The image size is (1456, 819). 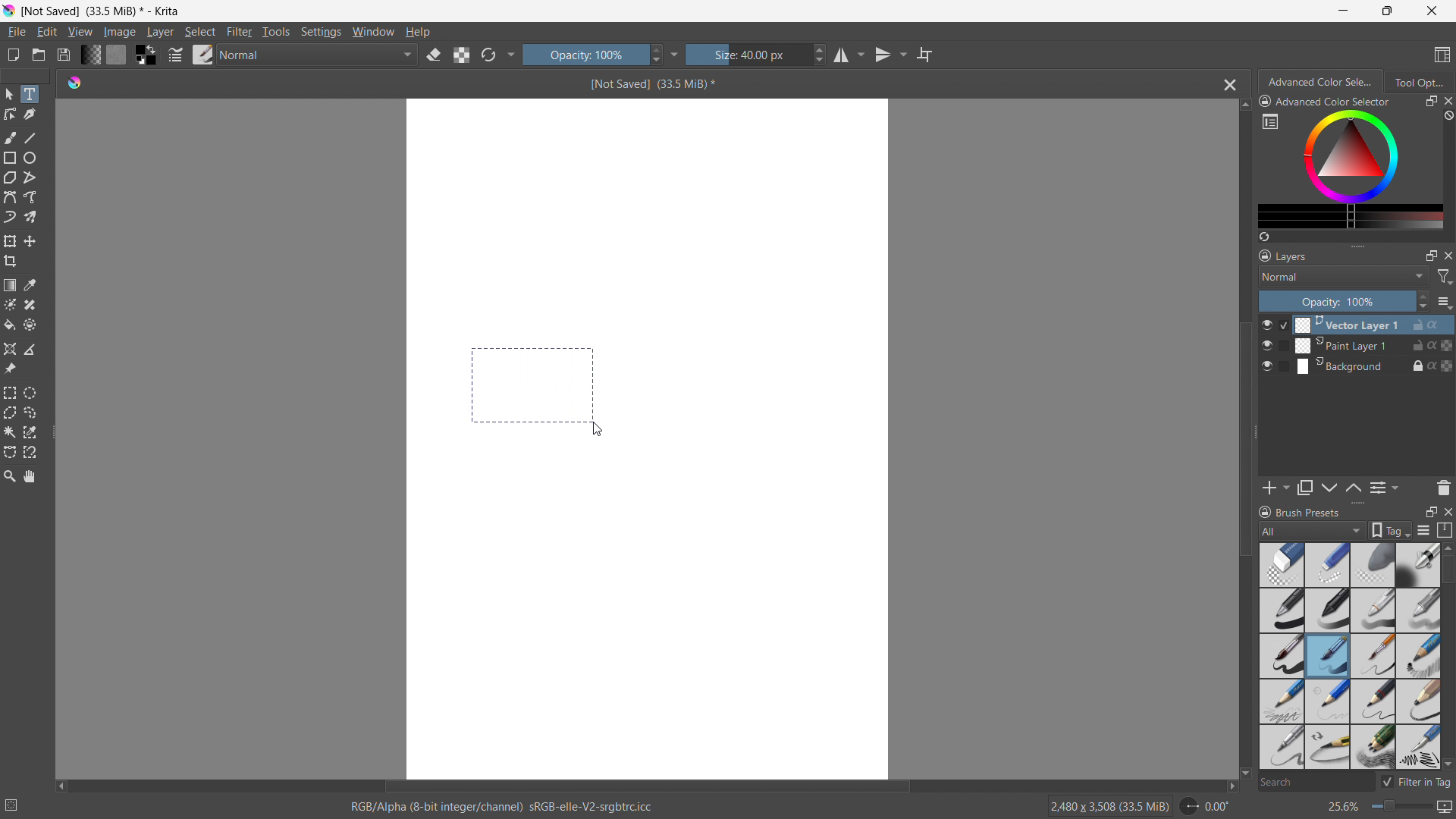 What do you see at coordinates (30, 115) in the screenshot?
I see `caligraphy tool` at bounding box center [30, 115].